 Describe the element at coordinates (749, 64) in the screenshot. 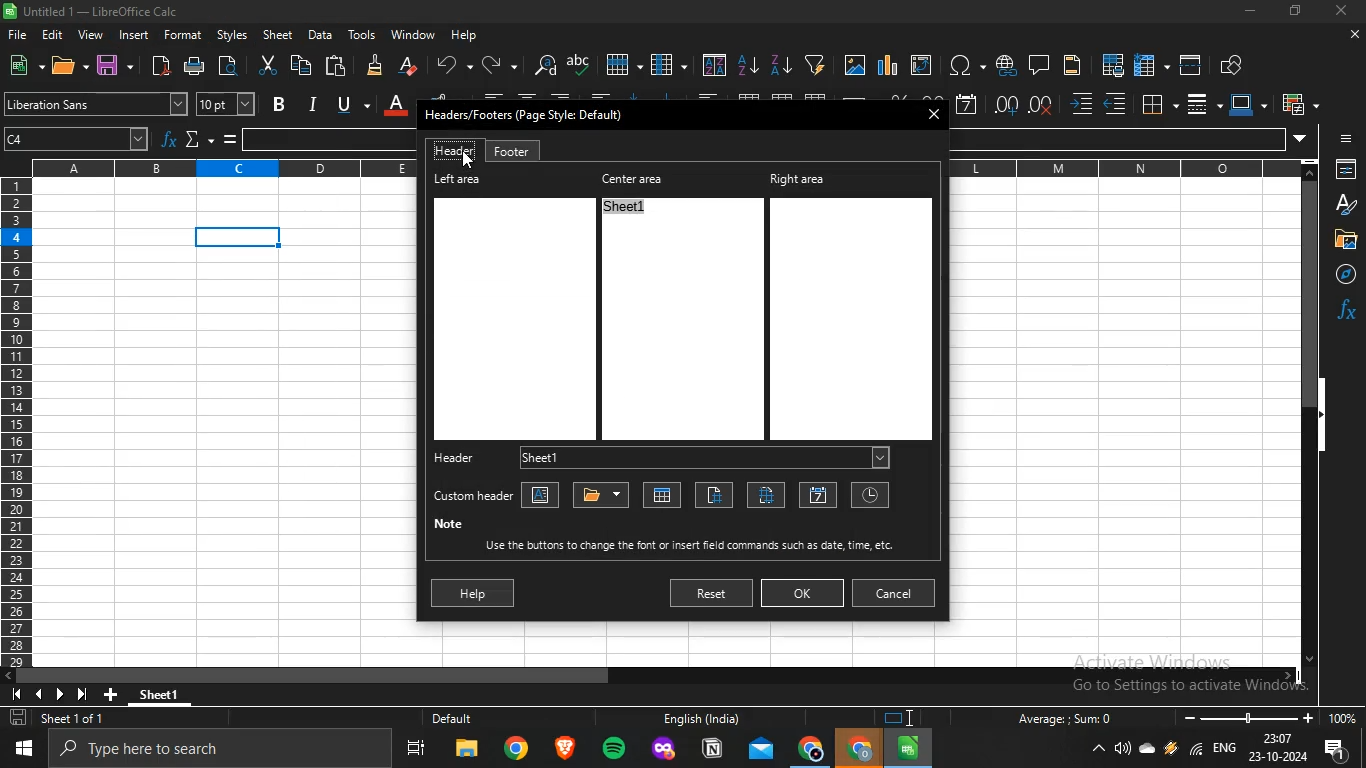

I see `sort ascending` at that location.